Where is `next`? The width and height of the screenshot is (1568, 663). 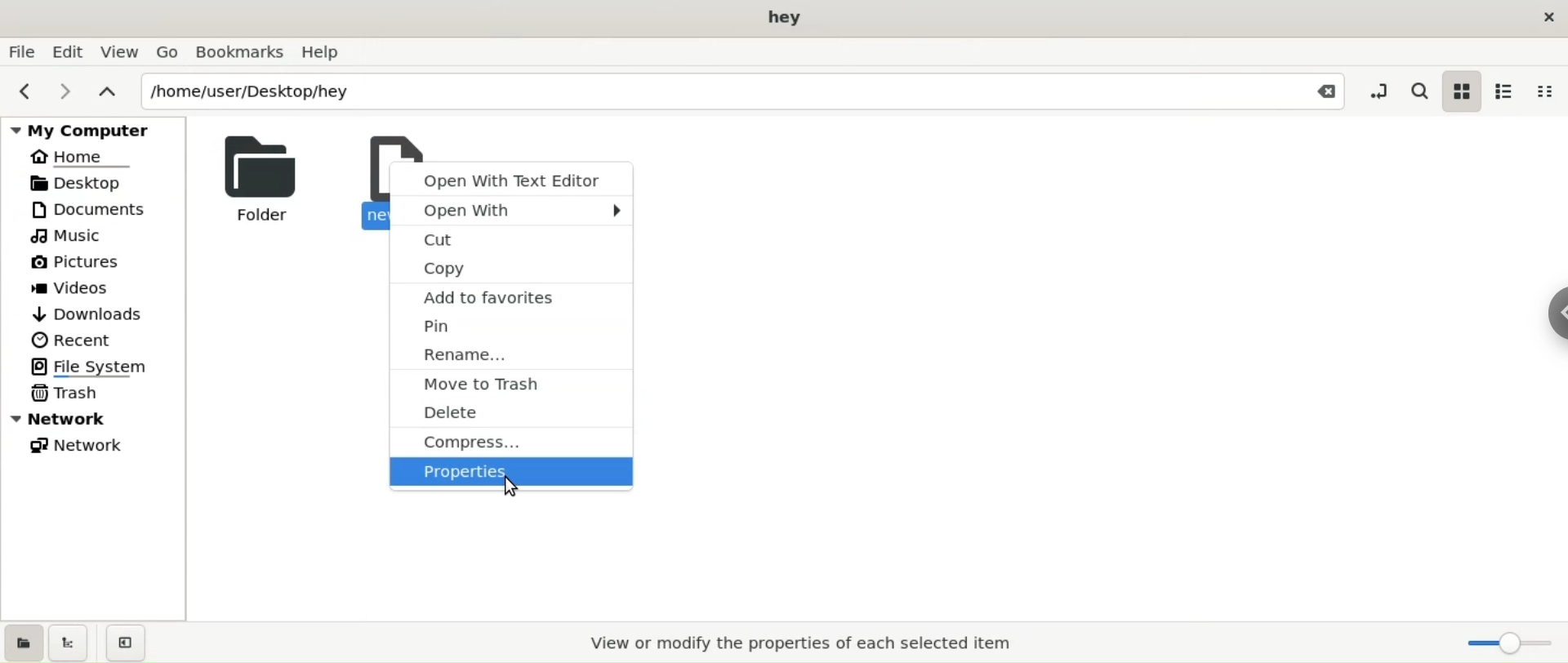
next is located at coordinates (62, 90).